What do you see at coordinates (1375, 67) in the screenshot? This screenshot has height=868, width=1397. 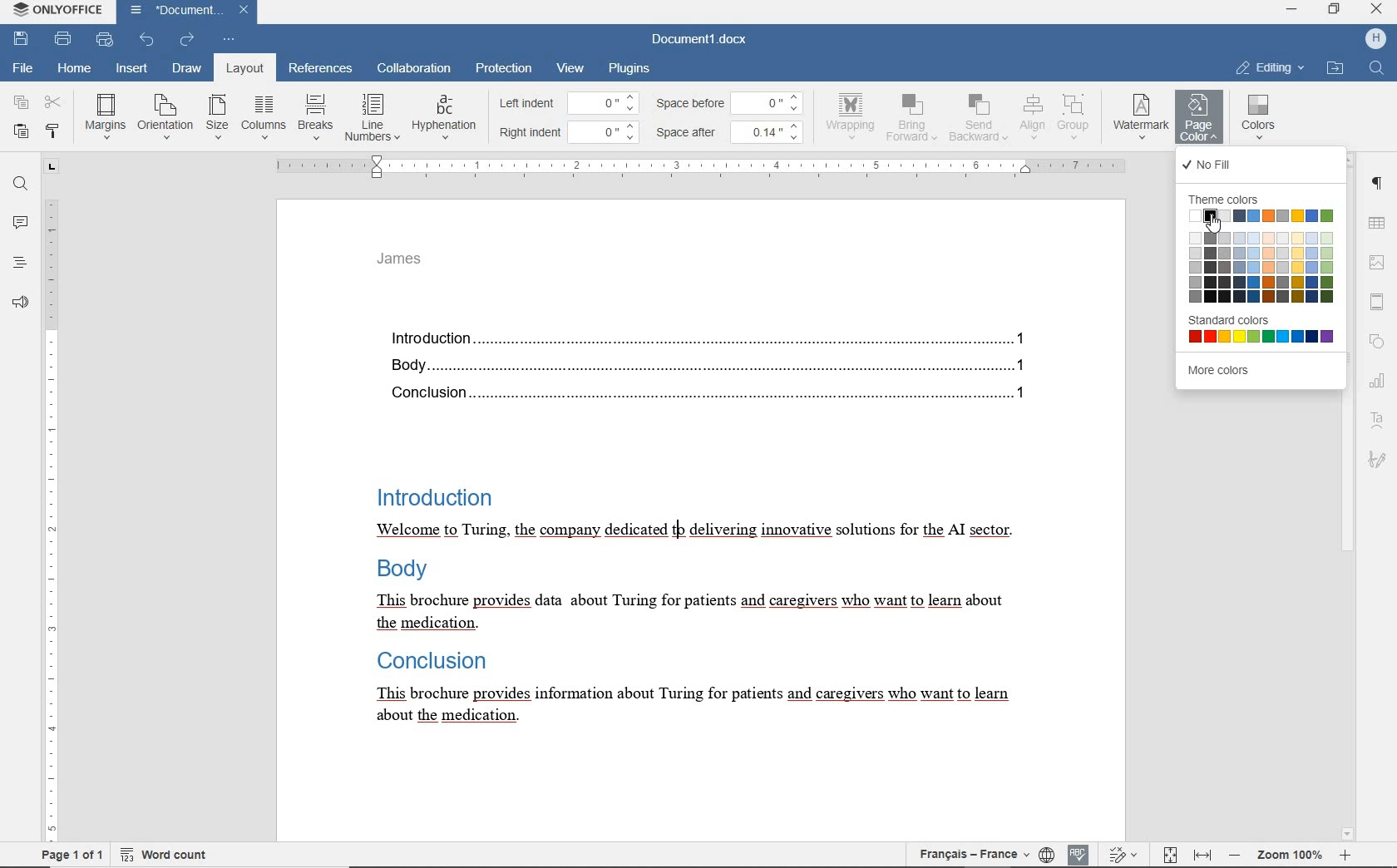 I see `find` at bounding box center [1375, 67].